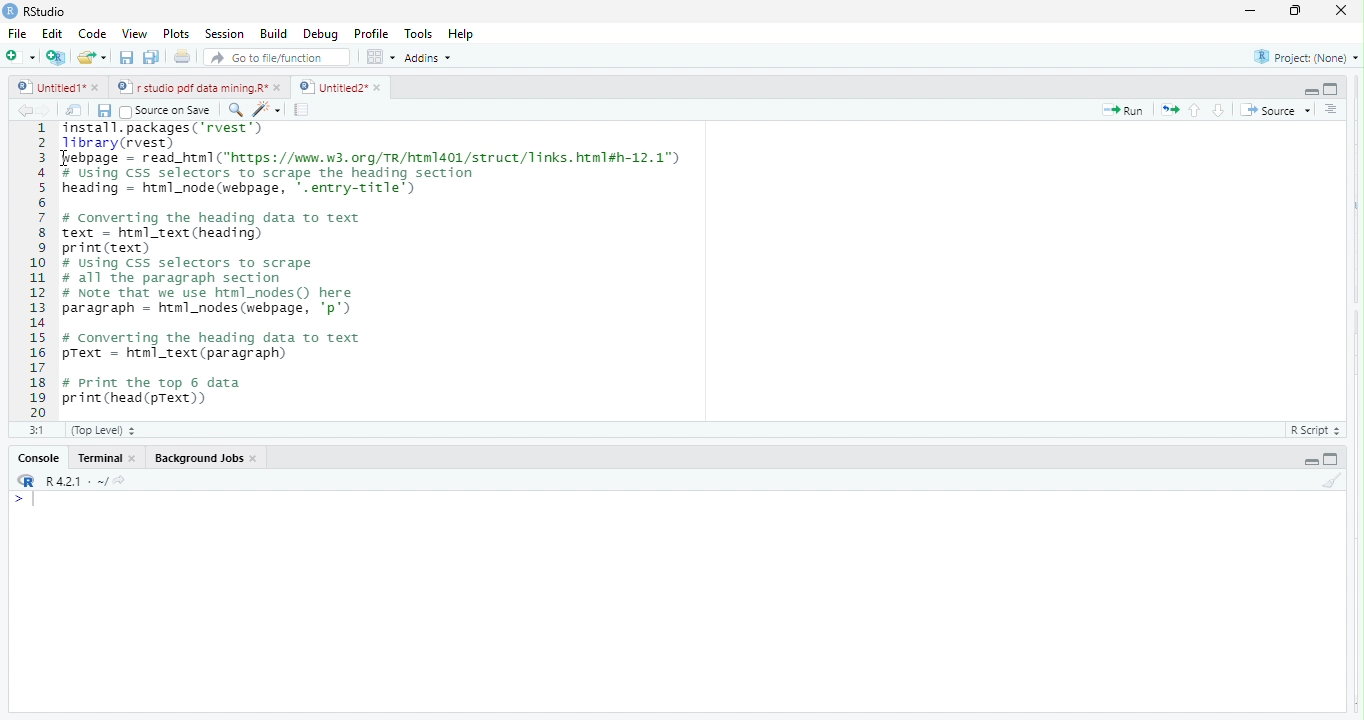  Describe the element at coordinates (462, 34) in the screenshot. I see `Help` at that location.